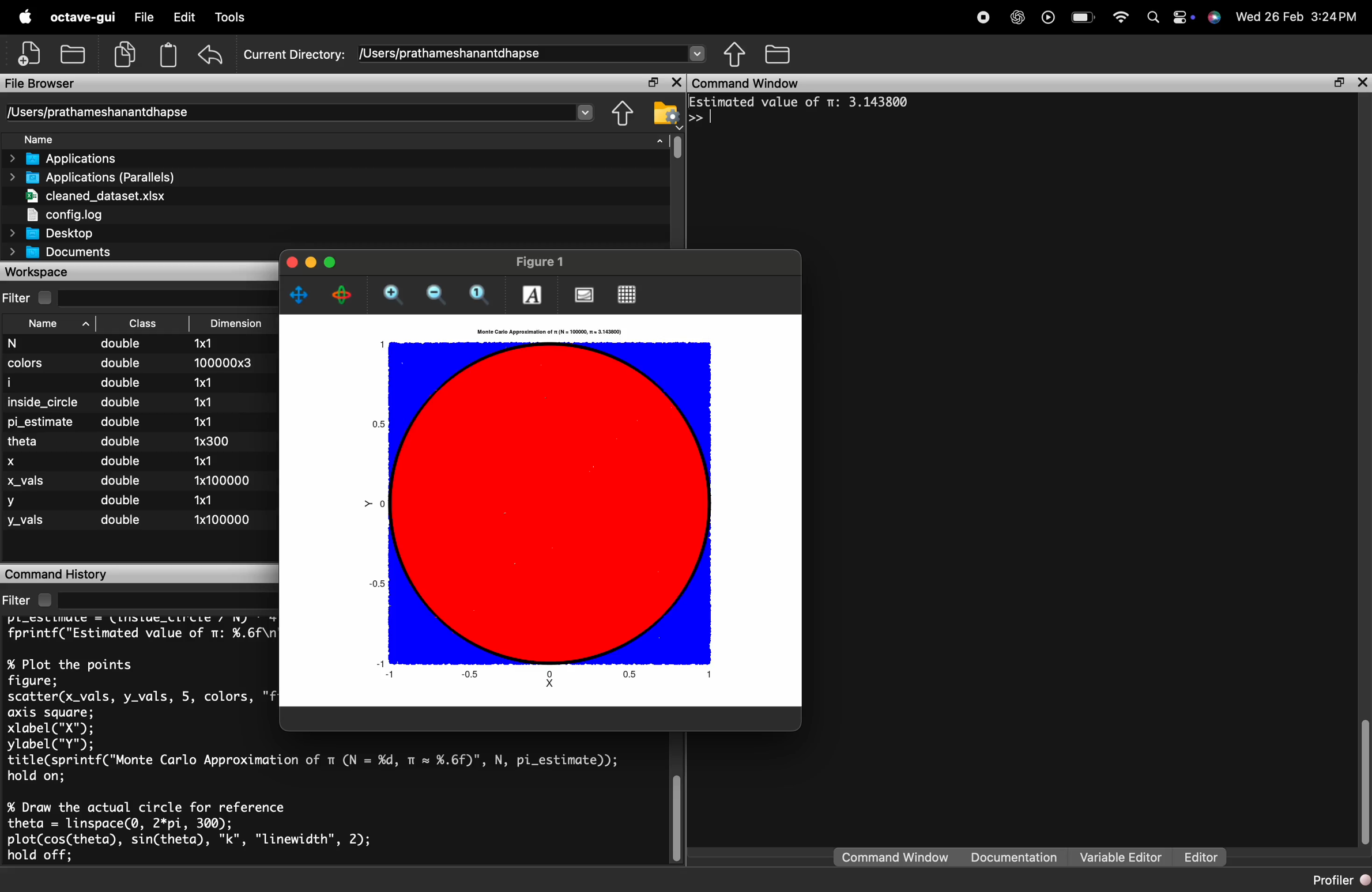  Describe the element at coordinates (31, 54) in the screenshot. I see `New Script` at that location.